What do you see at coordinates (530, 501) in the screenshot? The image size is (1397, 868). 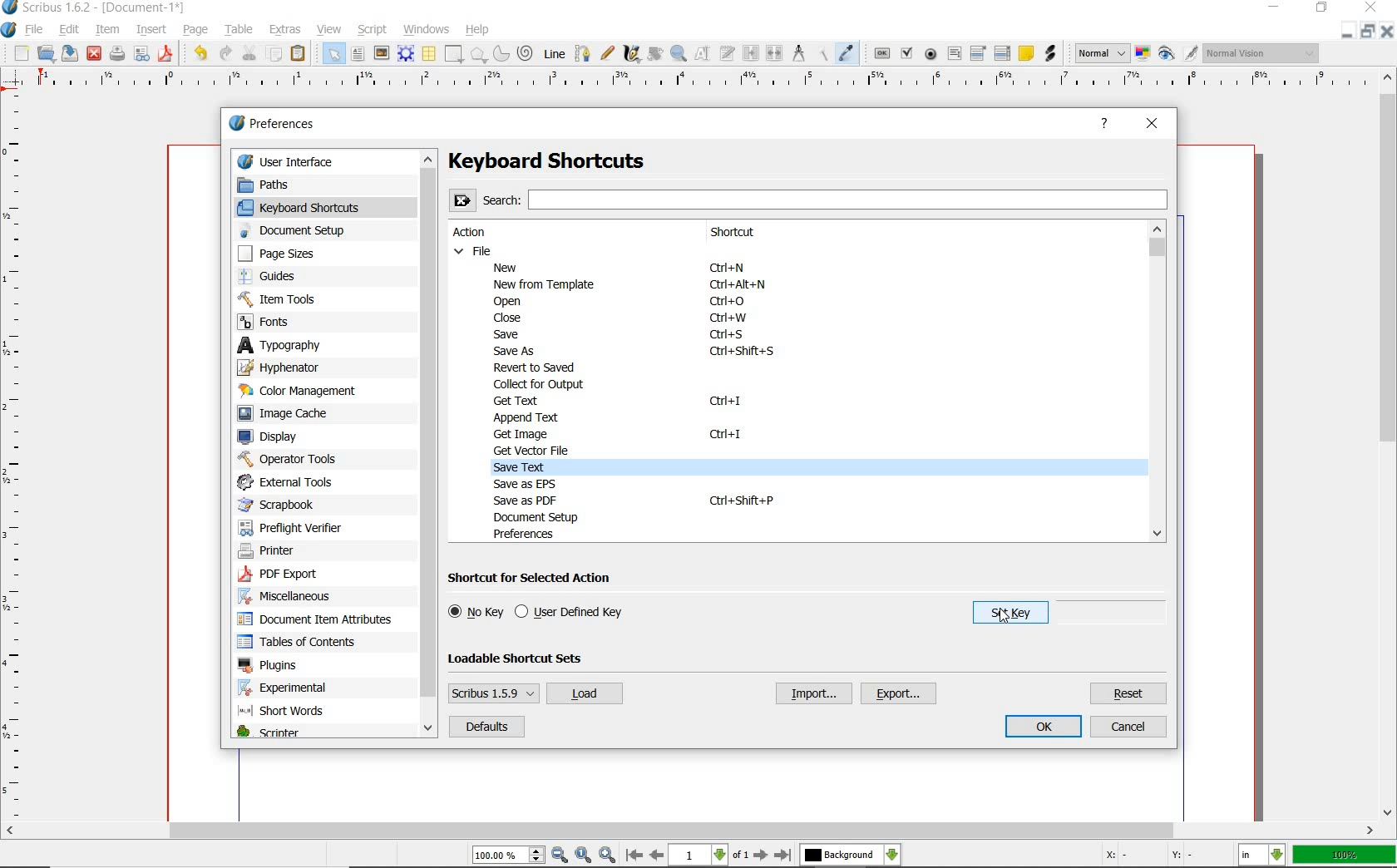 I see `save as pdf` at bounding box center [530, 501].